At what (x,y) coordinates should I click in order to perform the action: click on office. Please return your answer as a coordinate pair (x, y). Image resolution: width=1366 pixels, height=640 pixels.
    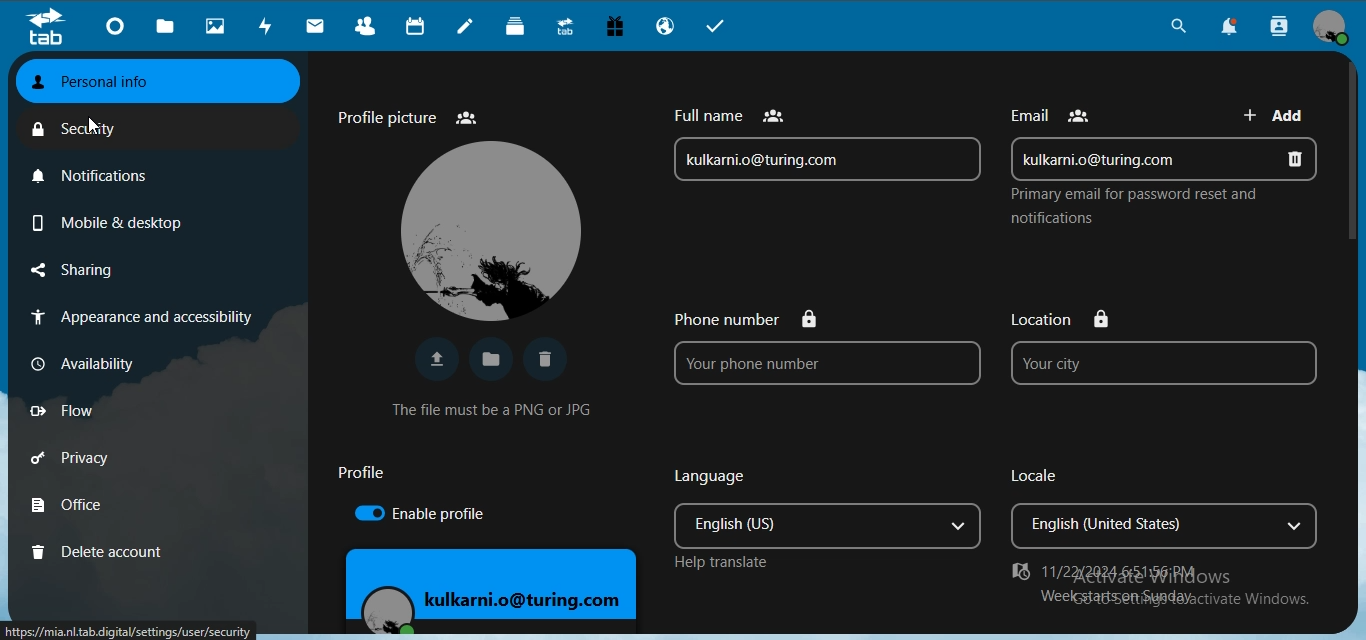
    Looking at the image, I should click on (97, 507).